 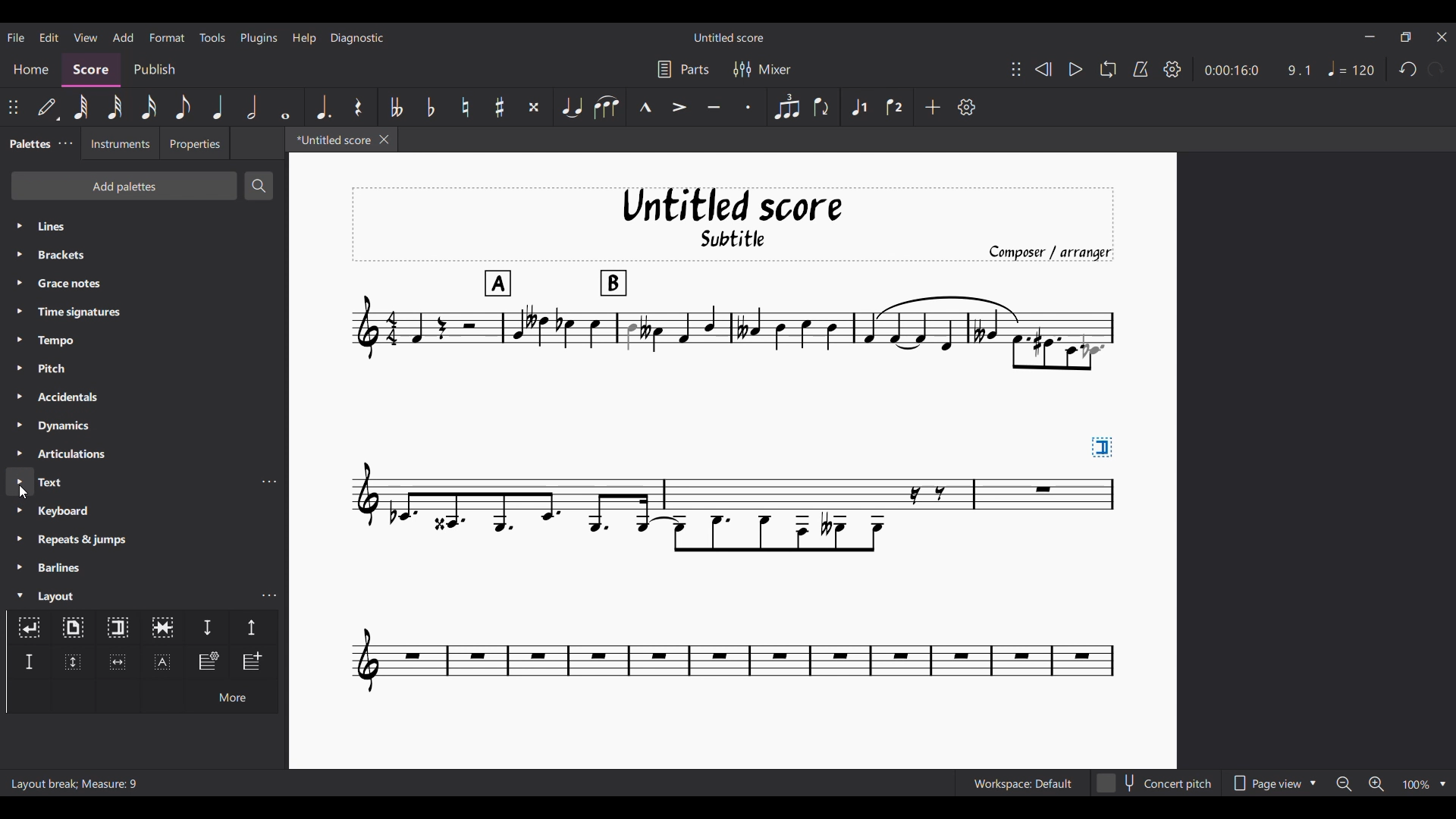 What do you see at coordinates (384, 140) in the screenshot?
I see `Close tab` at bounding box center [384, 140].